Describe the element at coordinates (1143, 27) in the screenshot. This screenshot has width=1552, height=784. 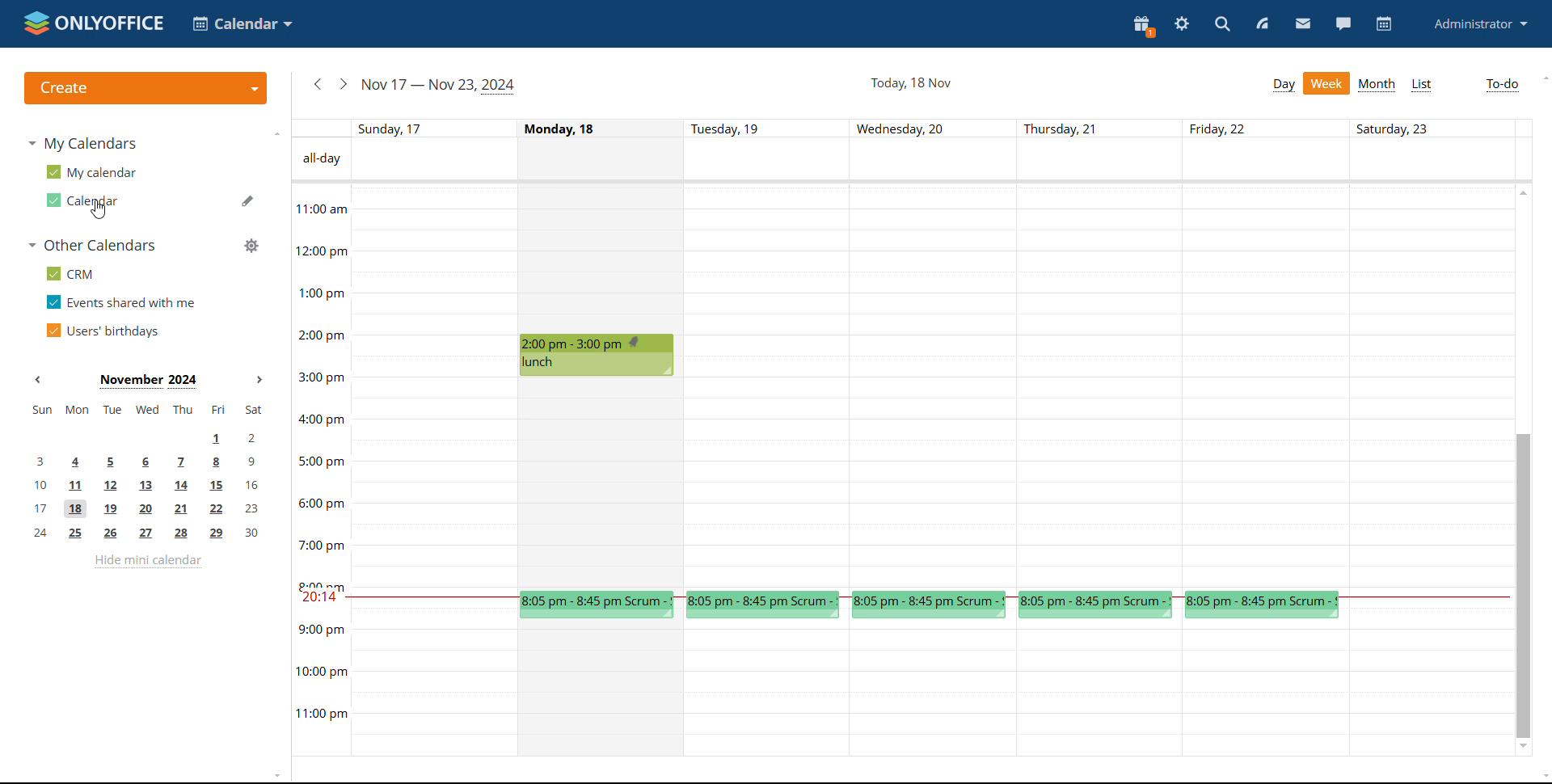
I see `present` at that location.